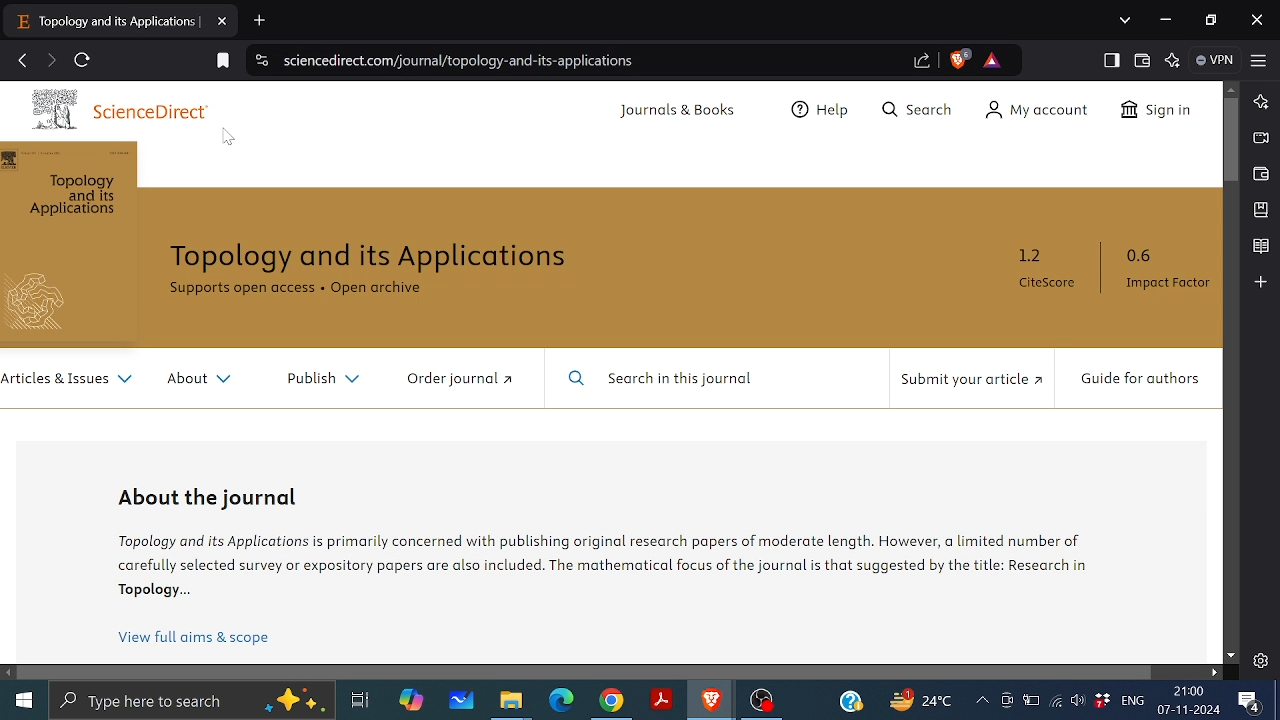 The height and width of the screenshot is (720, 1280). I want to click on Order journal , so click(452, 382).